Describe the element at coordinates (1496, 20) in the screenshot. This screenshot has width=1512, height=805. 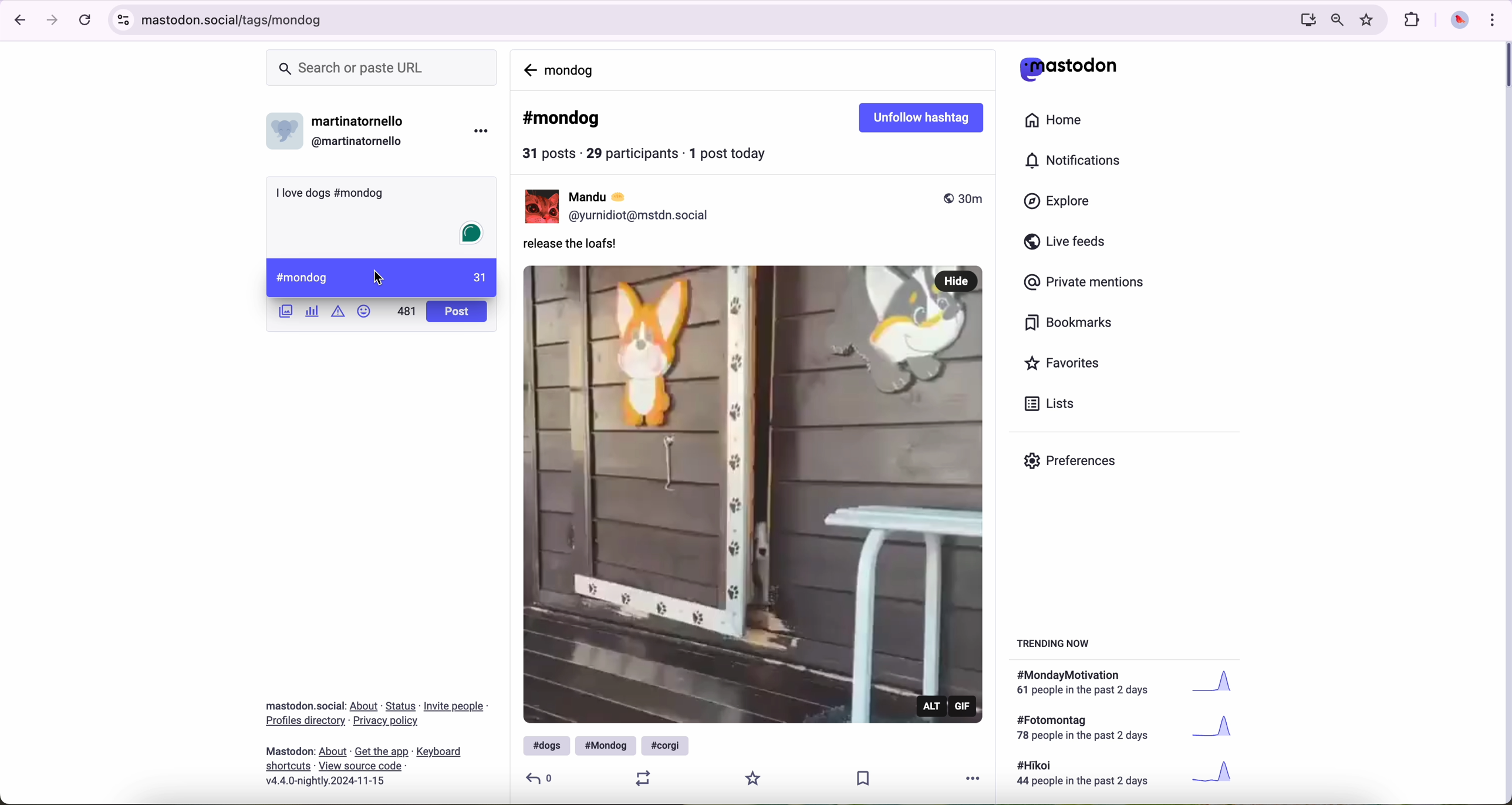
I see `customize and control Google Chrome` at that location.